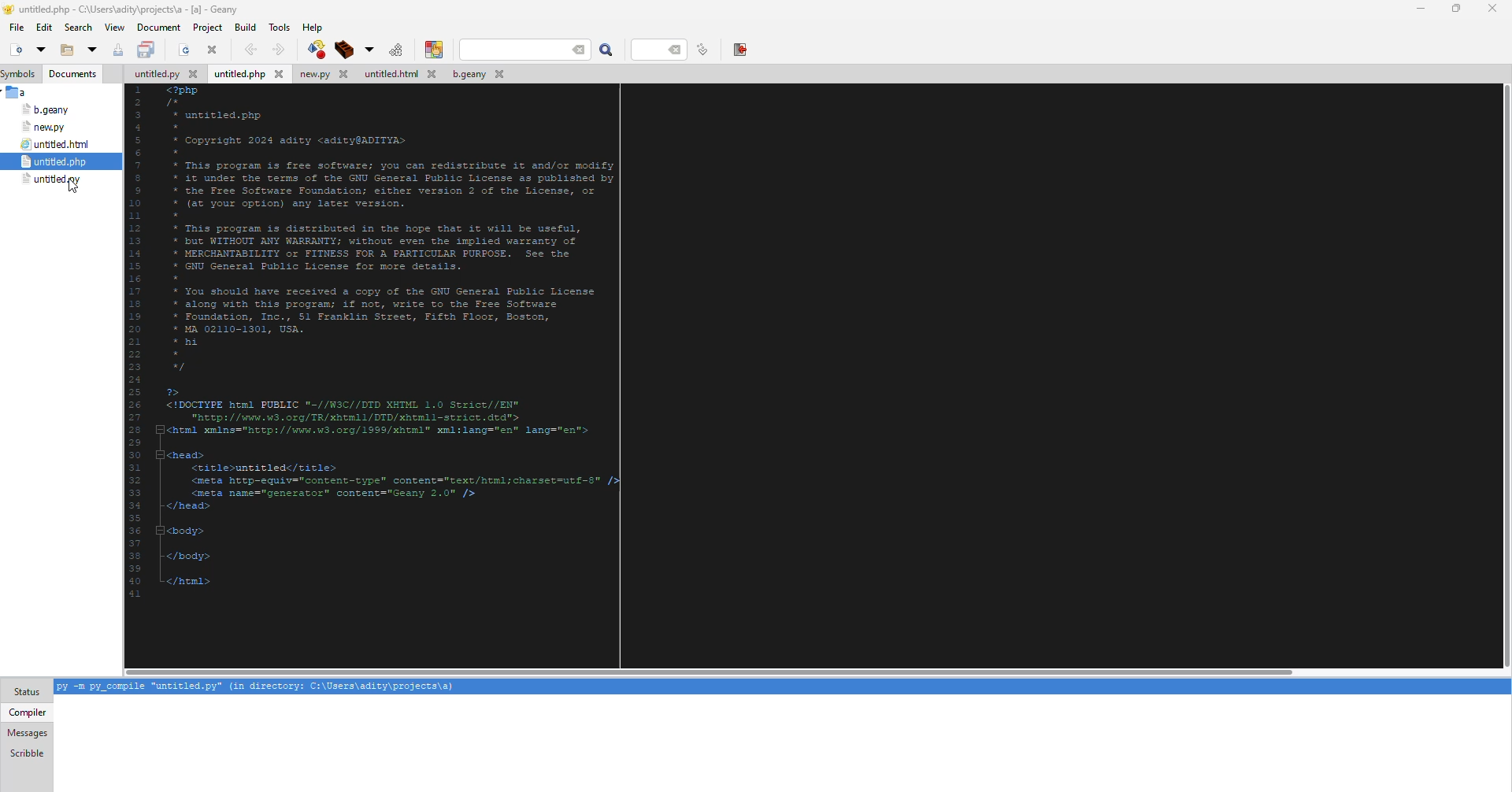 Image resolution: width=1512 pixels, height=792 pixels. Describe the element at coordinates (159, 27) in the screenshot. I see `document` at that location.